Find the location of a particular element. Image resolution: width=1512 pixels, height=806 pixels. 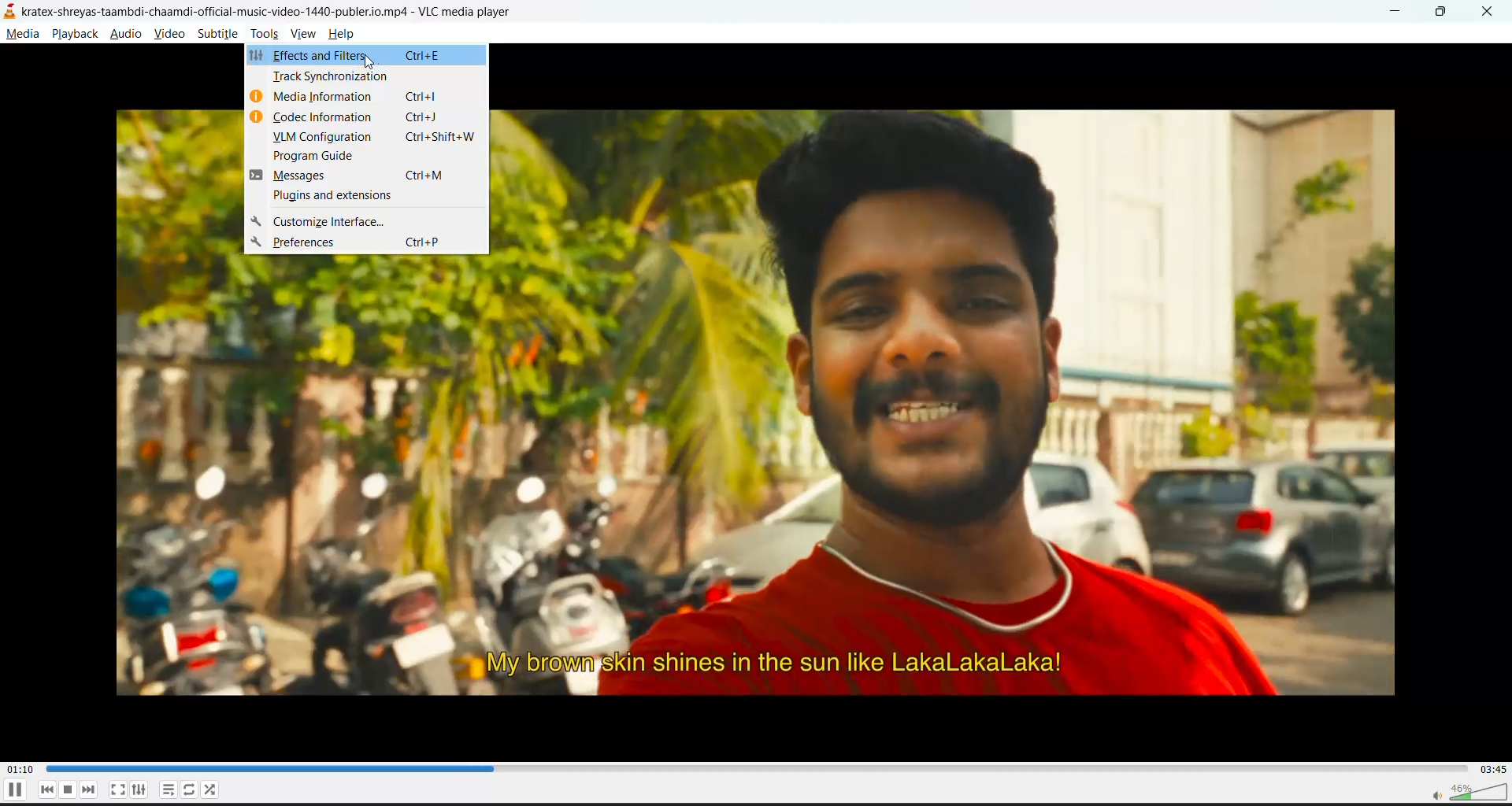

playlist is located at coordinates (166, 790).